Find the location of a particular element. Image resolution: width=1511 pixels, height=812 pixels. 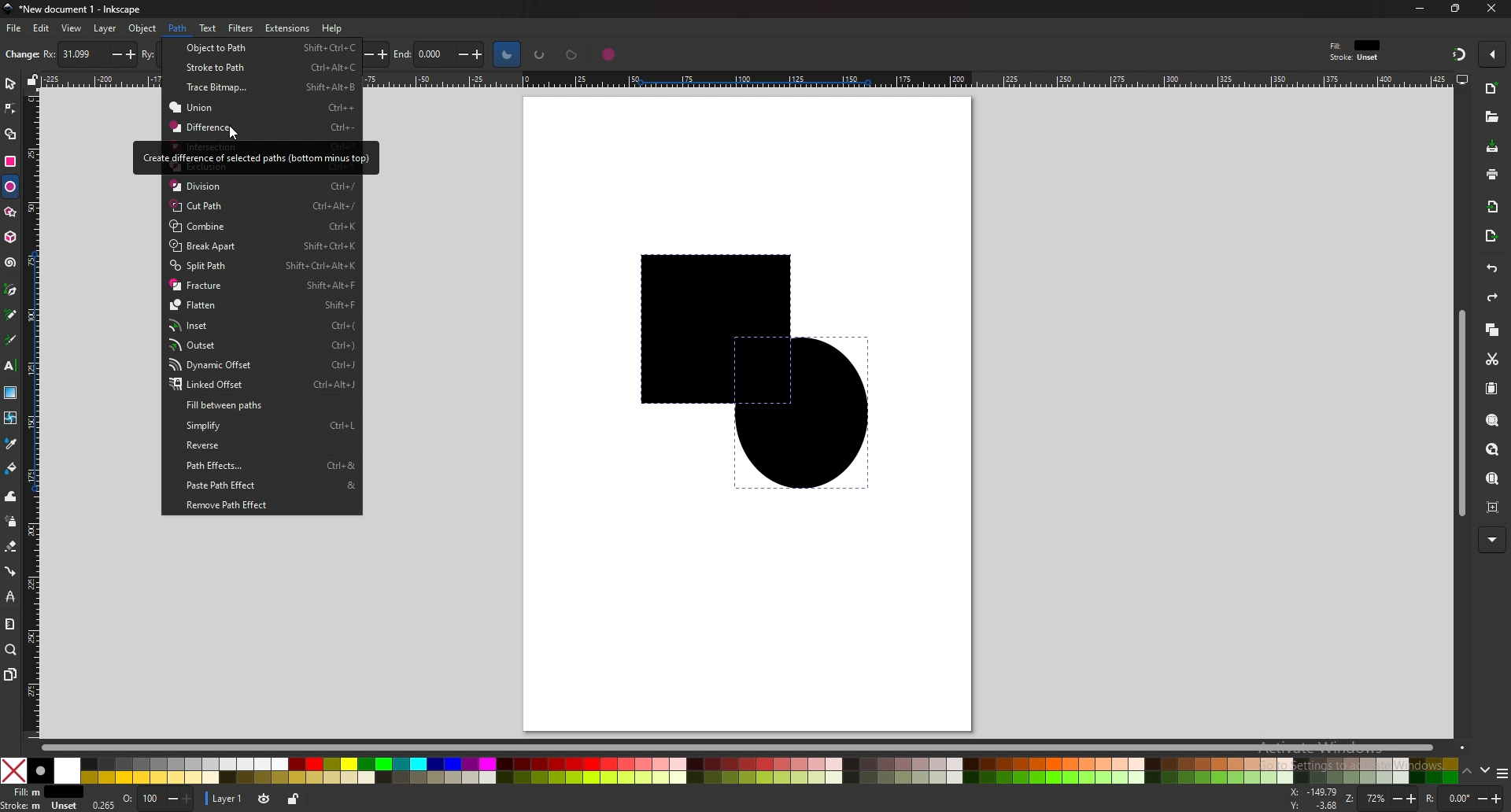

print is located at coordinates (1492, 174).